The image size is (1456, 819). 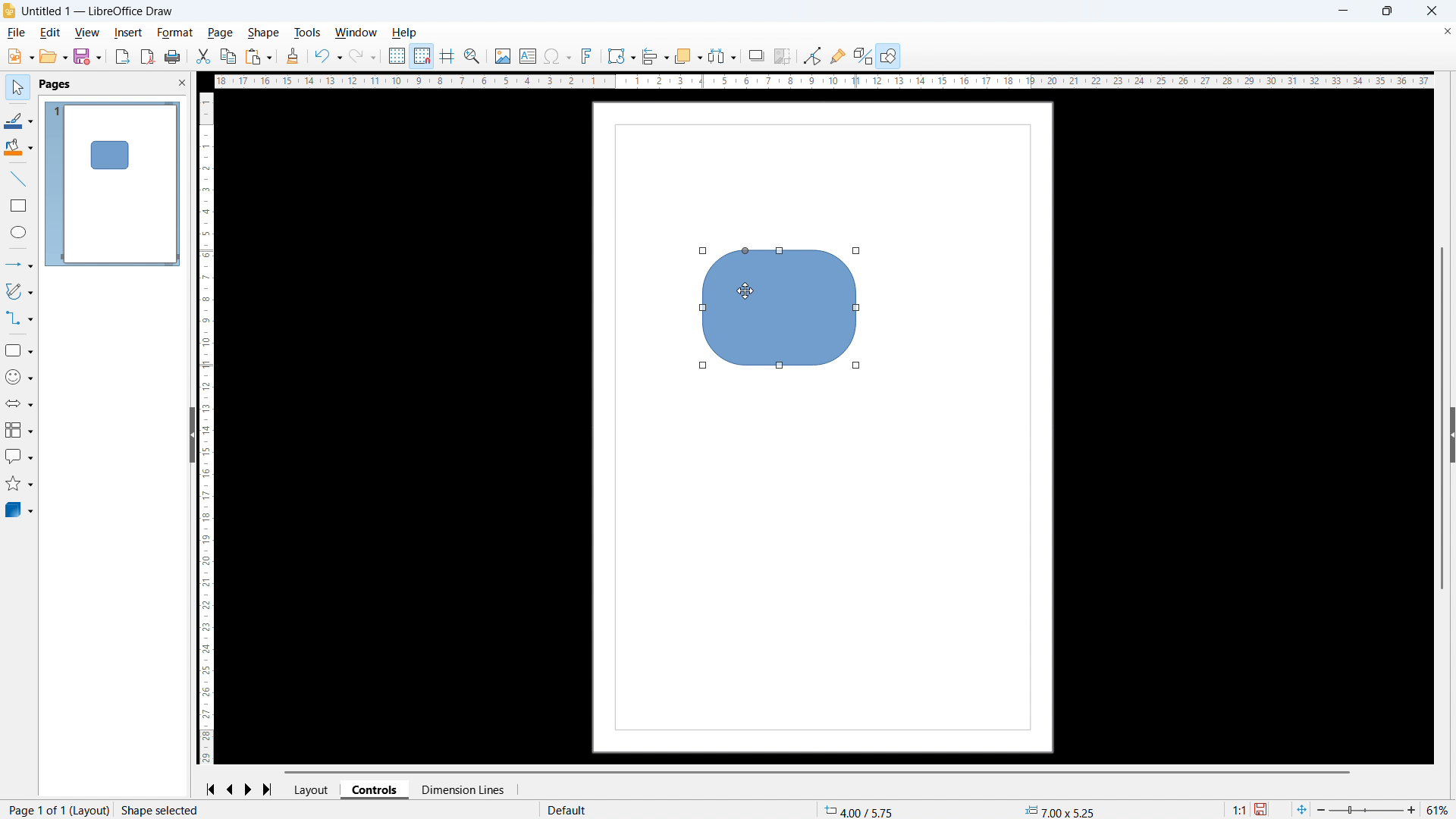 What do you see at coordinates (20, 56) in the screenshot?
I see `new ` at bounding box center [20, 56].